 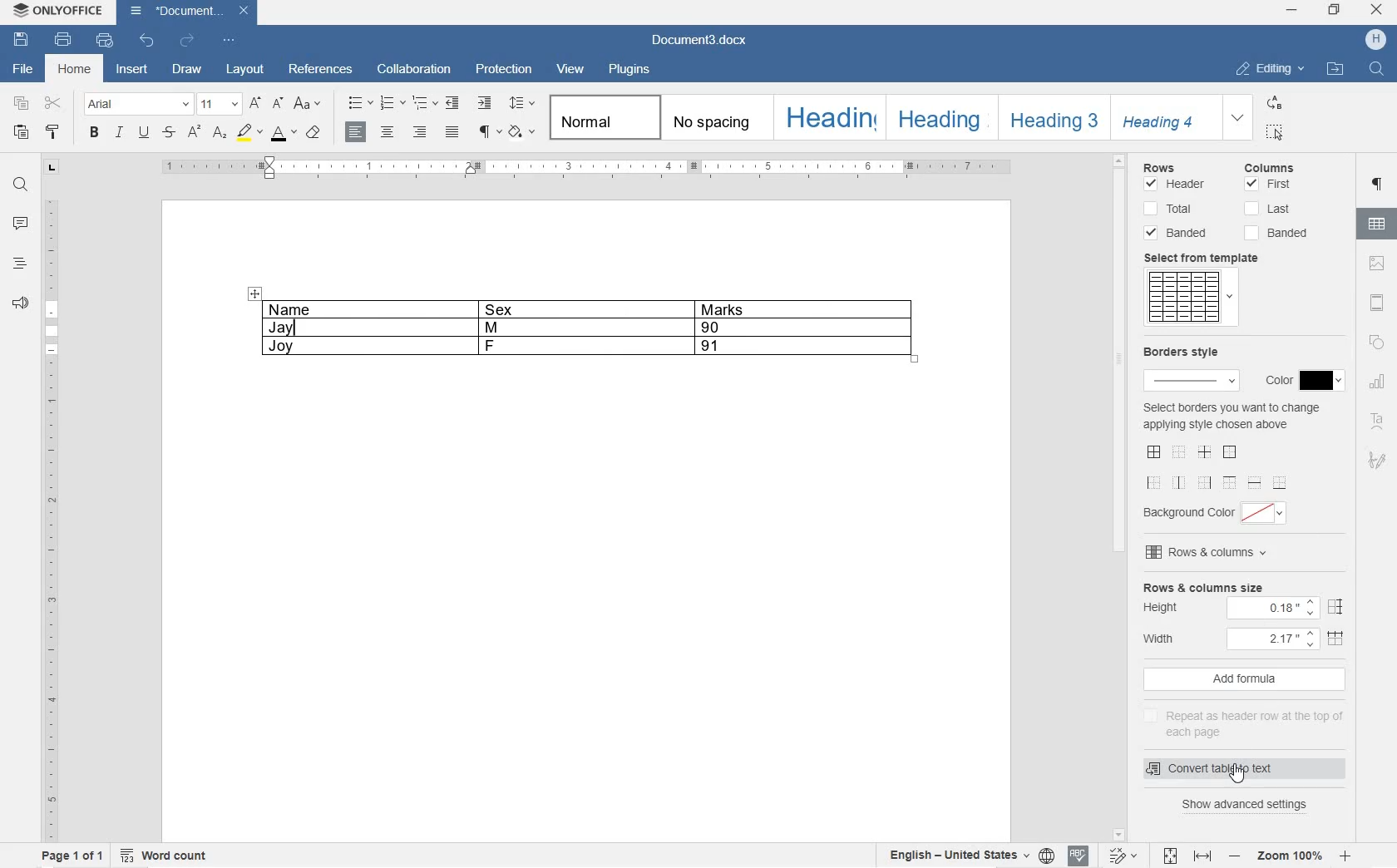 I want to click on SAVE, so click(x=22, y=40).